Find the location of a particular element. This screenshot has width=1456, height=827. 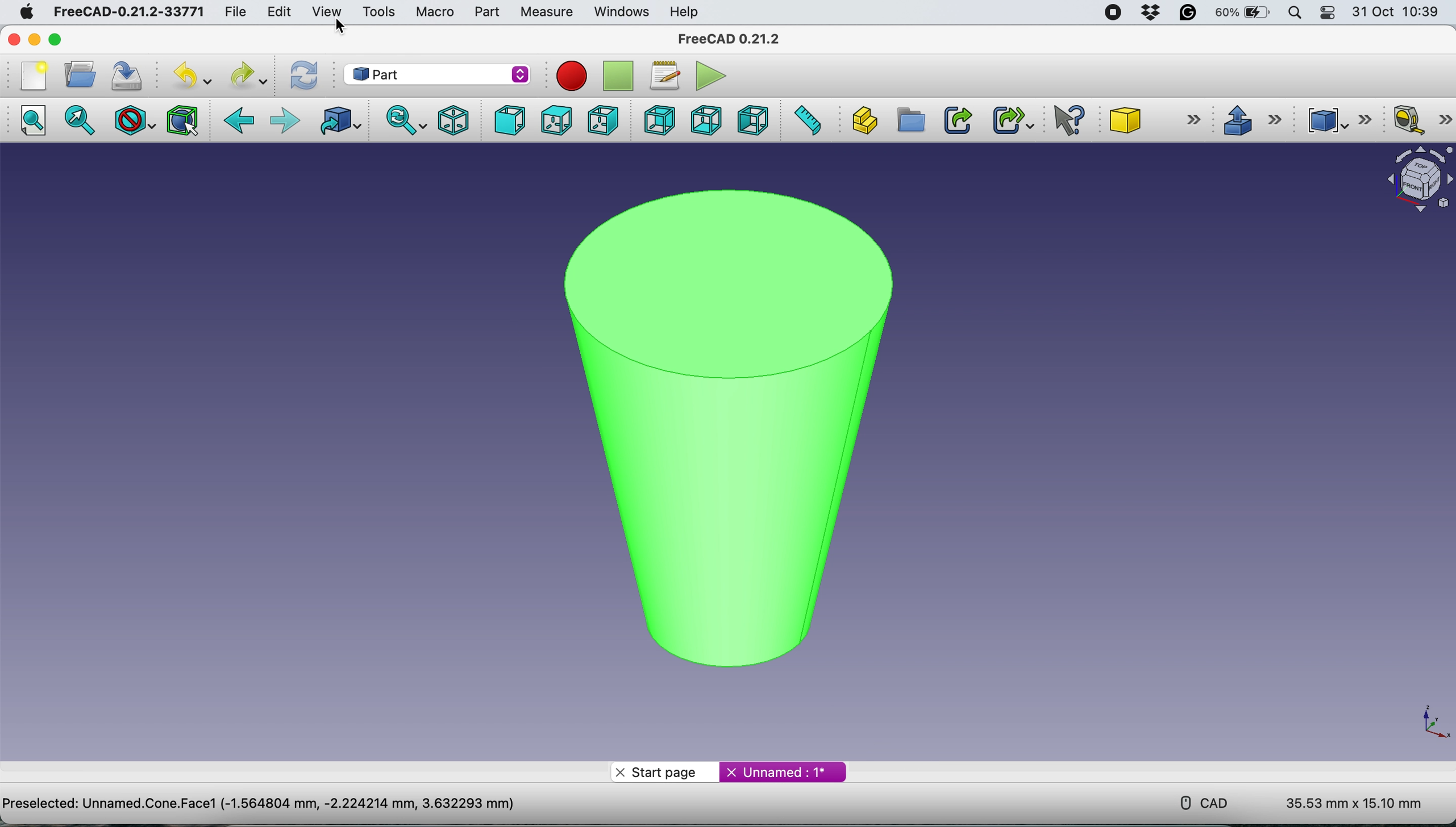

preselected: unnamed.cone.face1 (-1.564804 mm, -2.224214 mm, 3.632293 mm) is located at coordinates (263, 804).